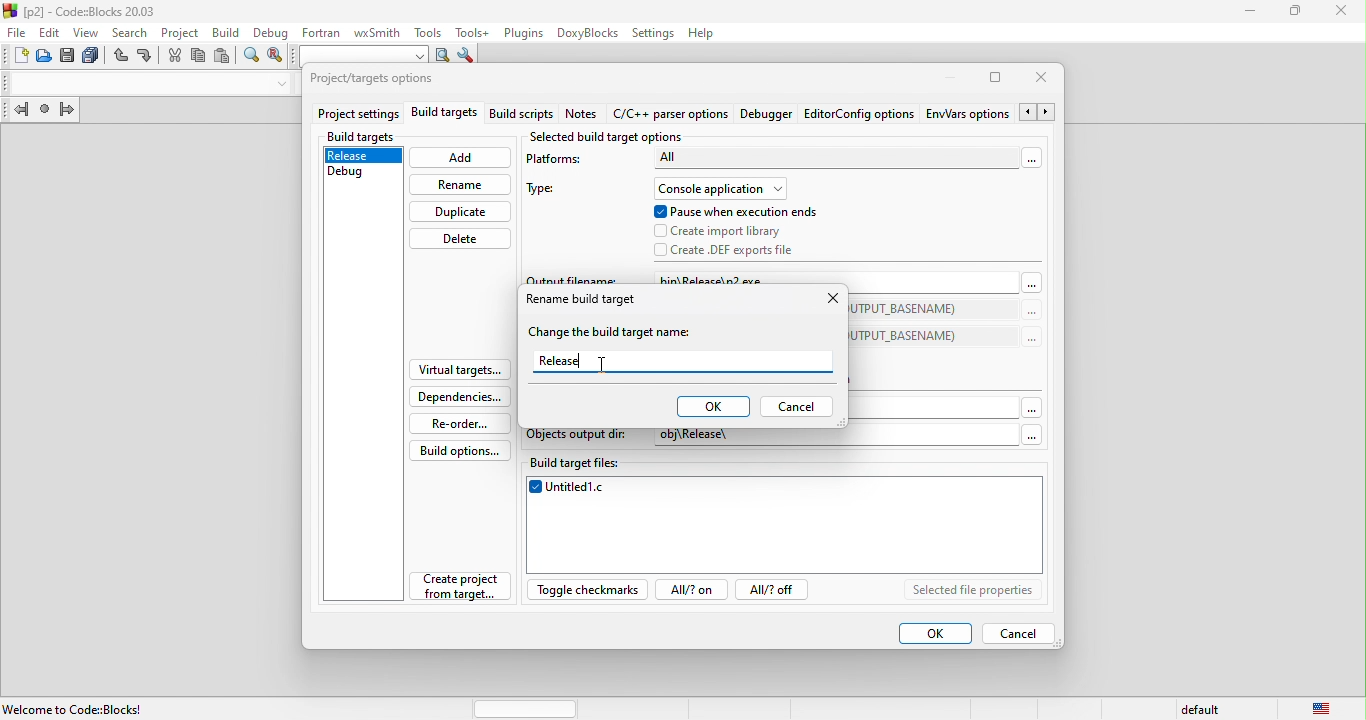 The width and height of the screenshot is (1366, 720). What do you see at coordinates (712, 407) in the screenshot?
I see `ok` at bounding box center [712, 407].